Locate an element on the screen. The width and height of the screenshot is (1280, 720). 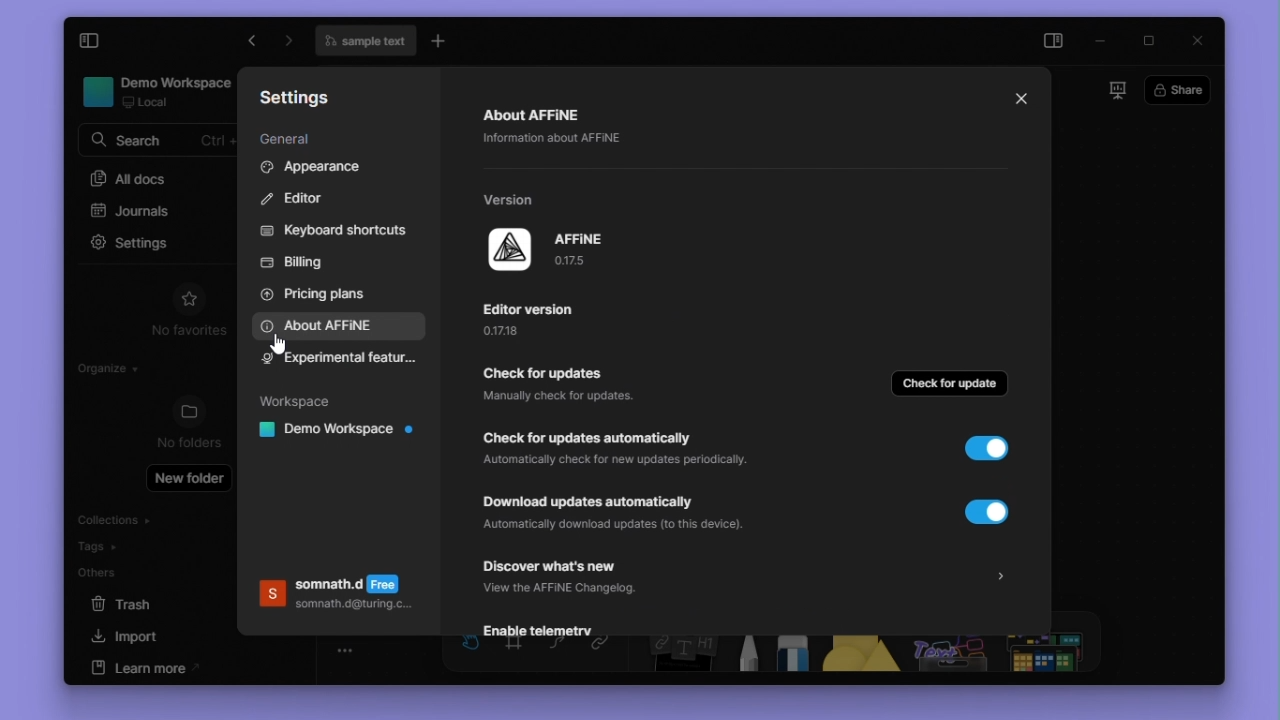
All docs is located at coordinates (155, 181).